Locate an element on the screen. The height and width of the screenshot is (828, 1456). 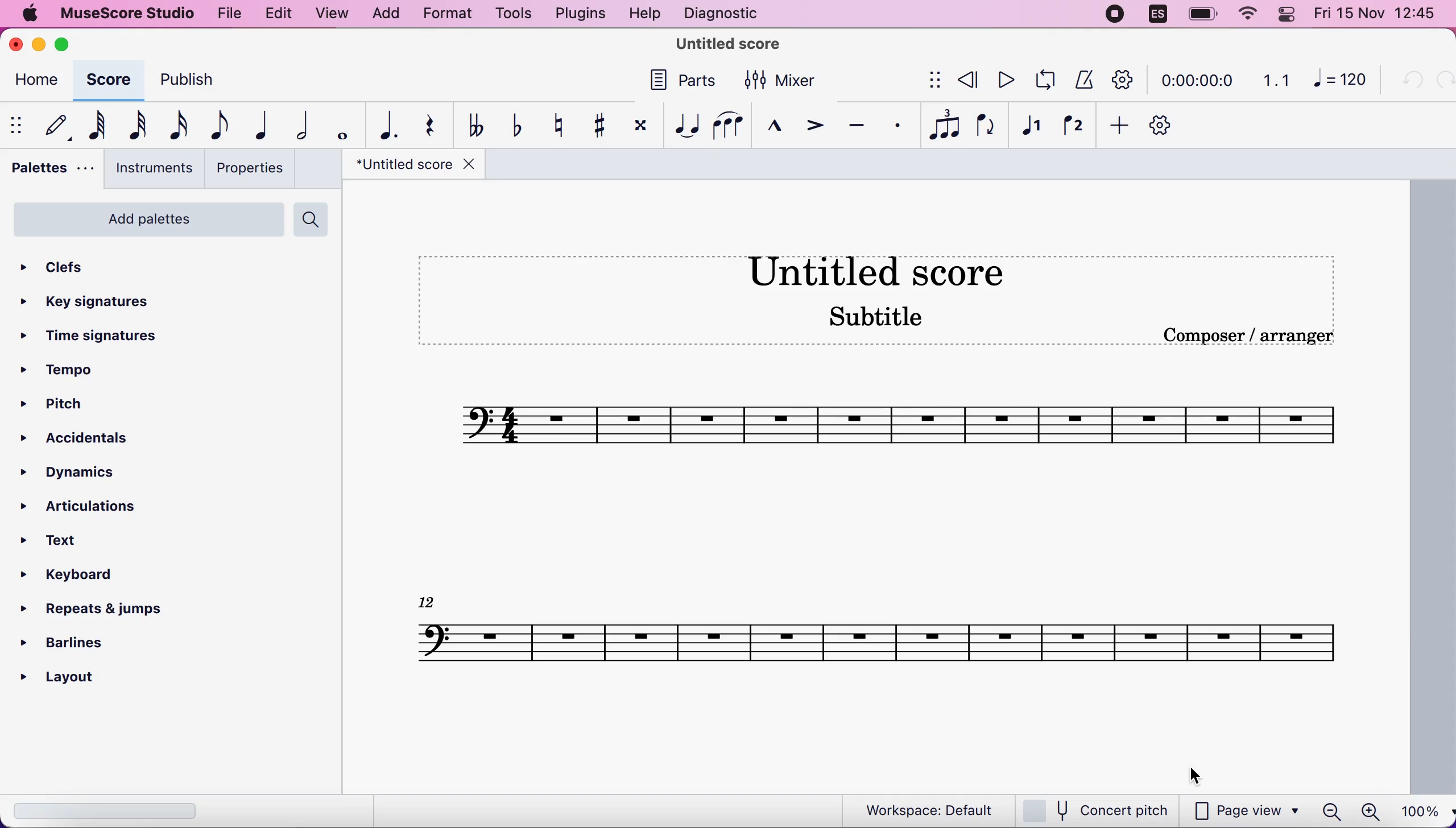
articulations is located at coordinates (80, 503).